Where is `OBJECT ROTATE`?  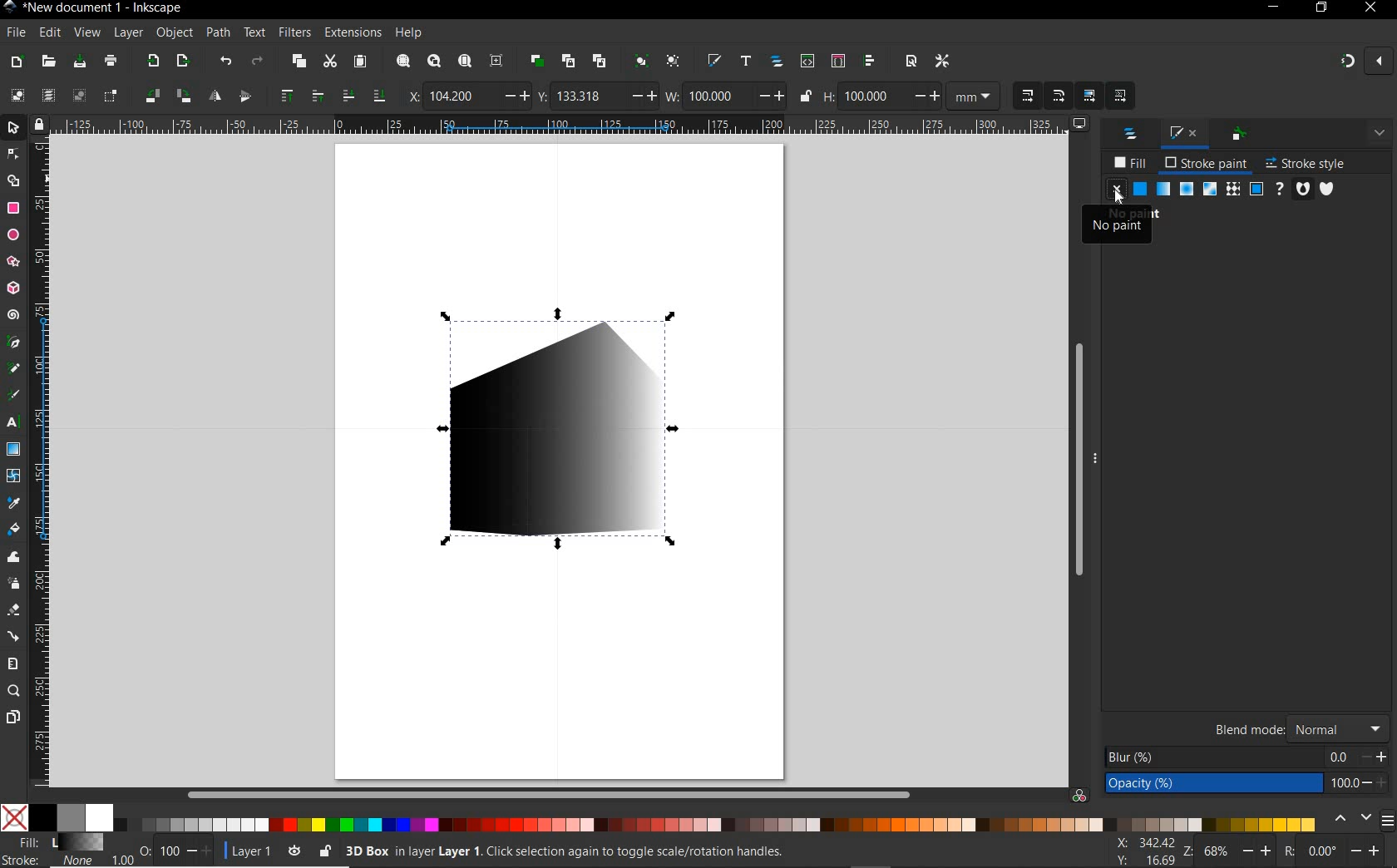 OBJECT ROTATE is located at coordinates (183, 96).